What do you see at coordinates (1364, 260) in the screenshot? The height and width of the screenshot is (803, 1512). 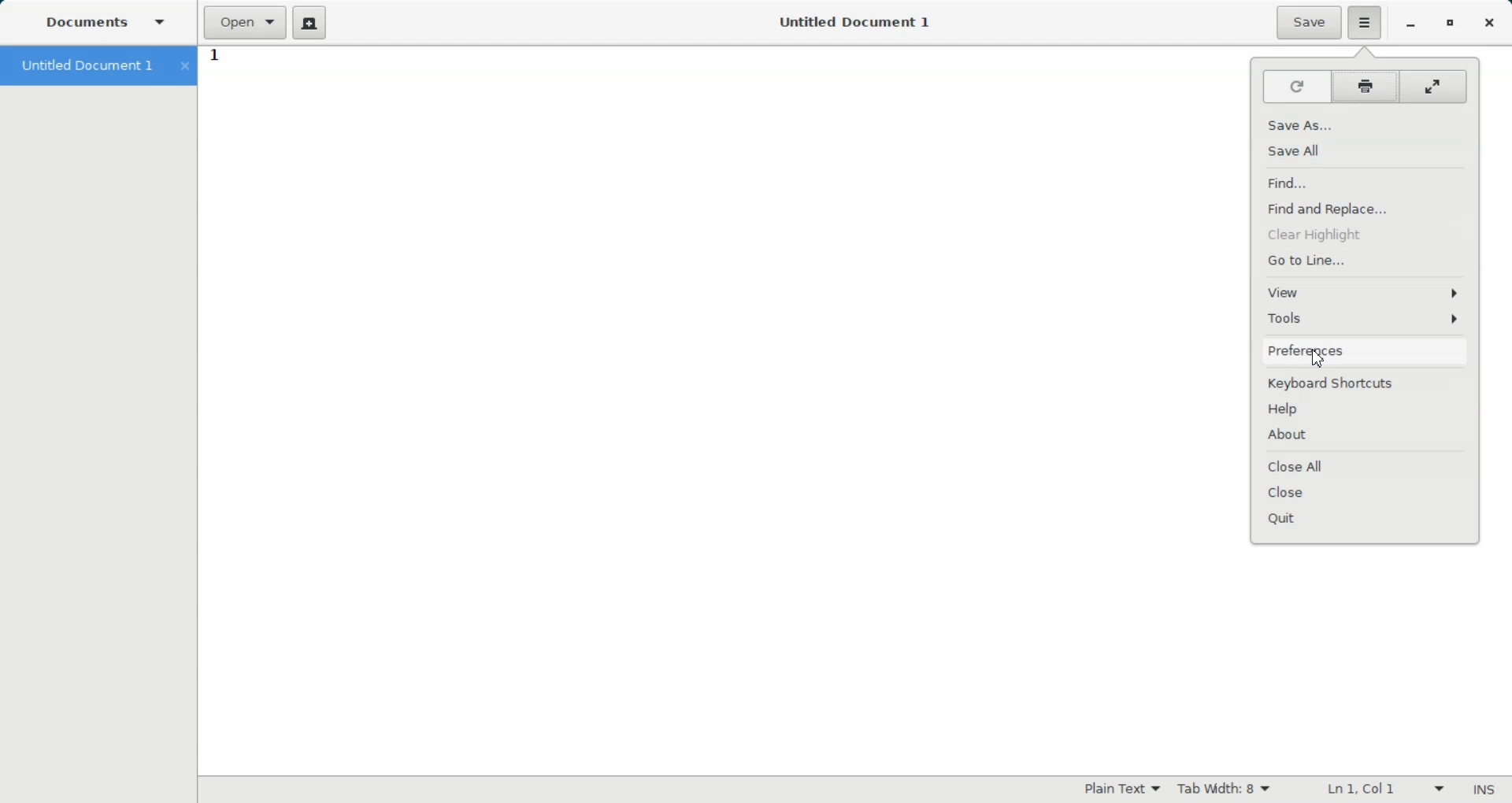 I see `Go to Line` at bounding box center [1364, 260].